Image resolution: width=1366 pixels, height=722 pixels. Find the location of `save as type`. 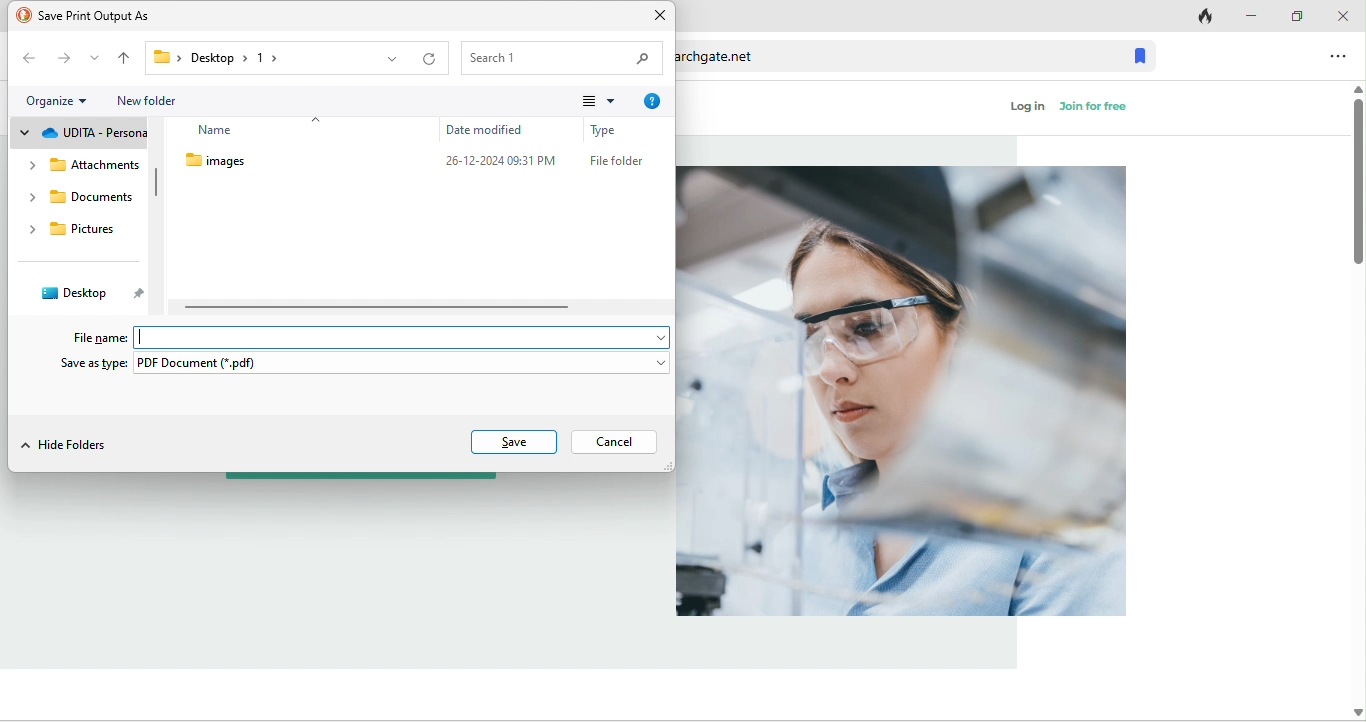

save as type is located at coordinates (362, 364).